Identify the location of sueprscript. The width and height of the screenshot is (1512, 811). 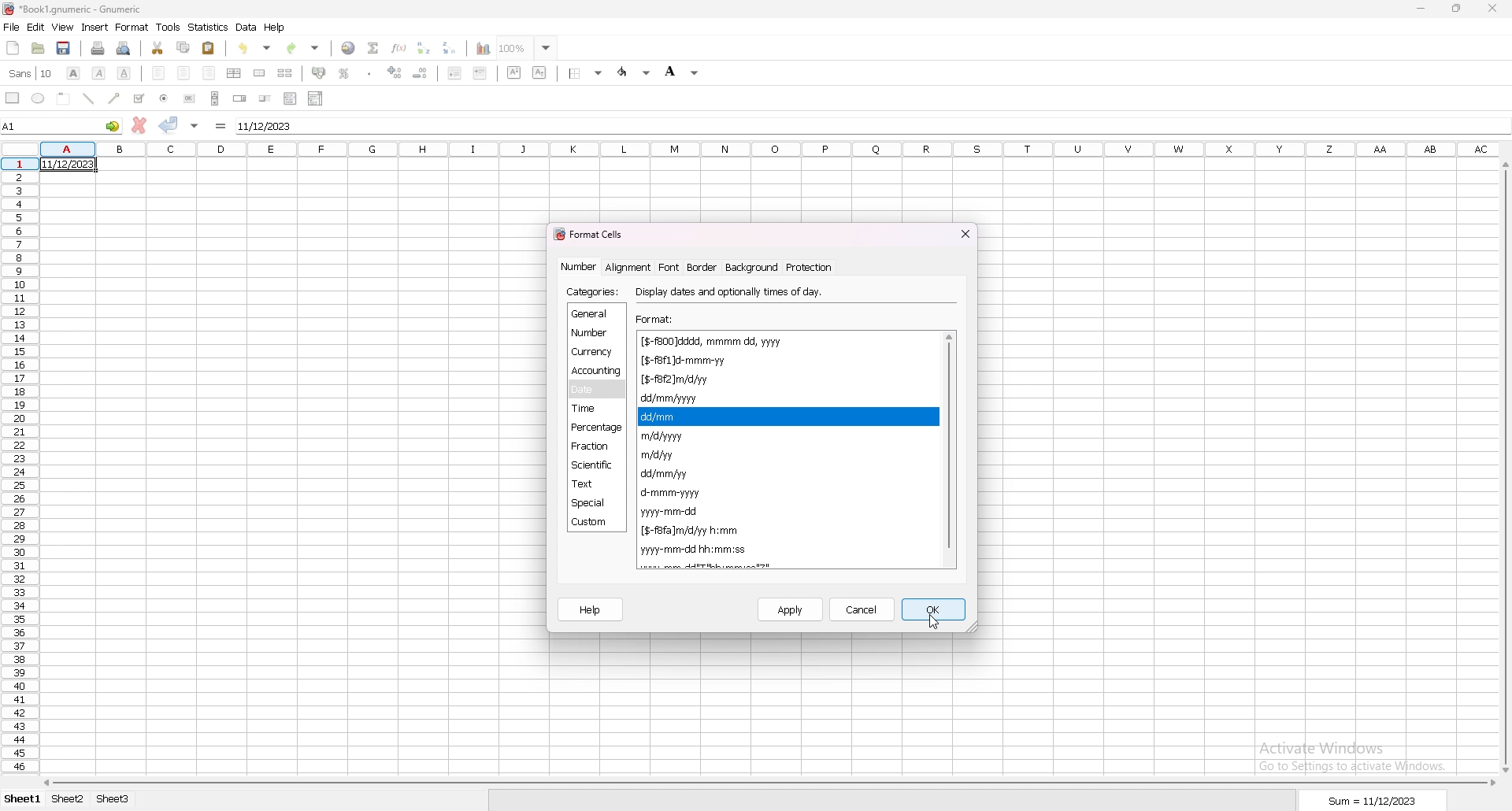
(514, 72).